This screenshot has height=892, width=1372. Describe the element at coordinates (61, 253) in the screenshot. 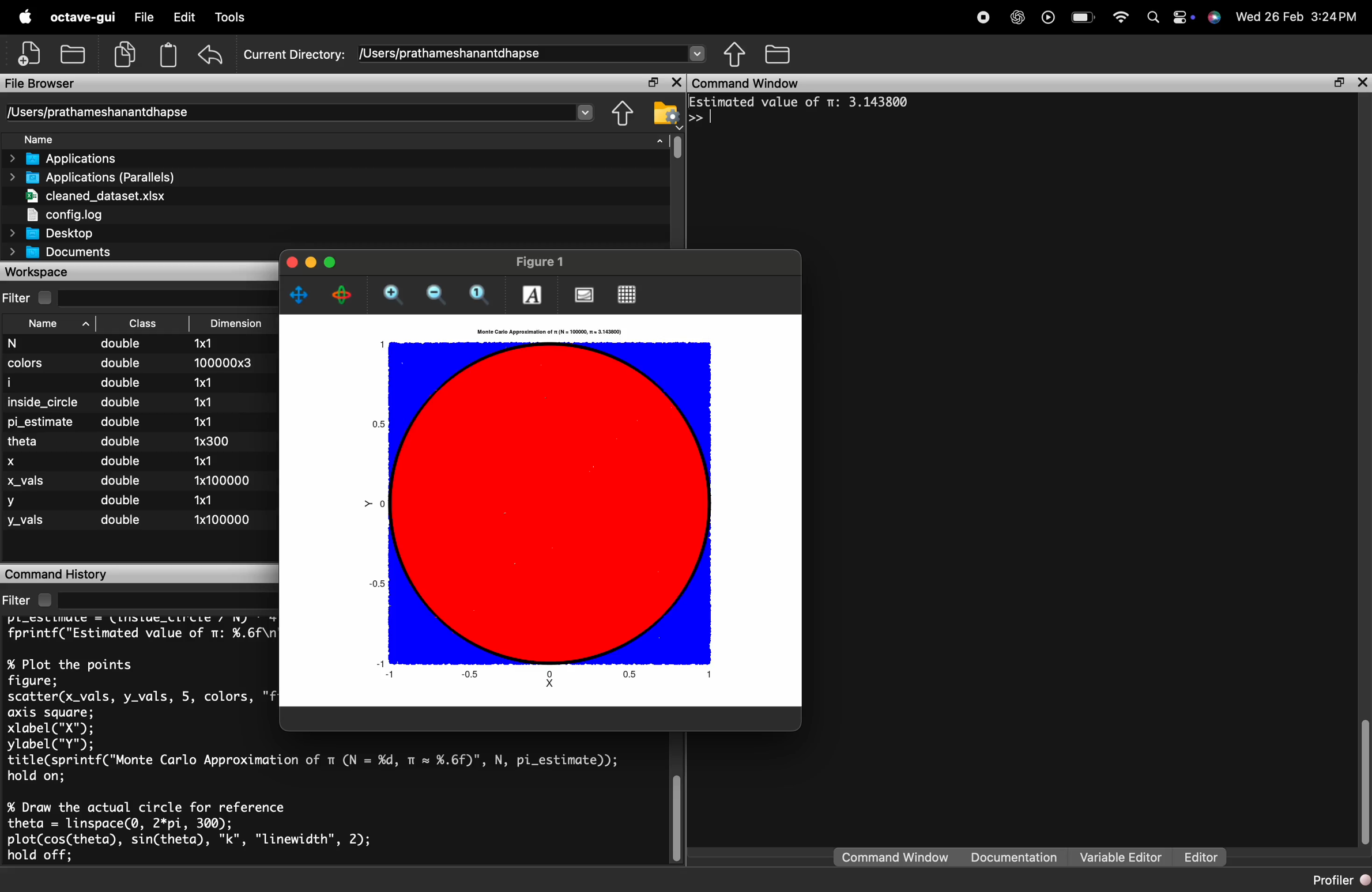

I see `Documents` at that location.